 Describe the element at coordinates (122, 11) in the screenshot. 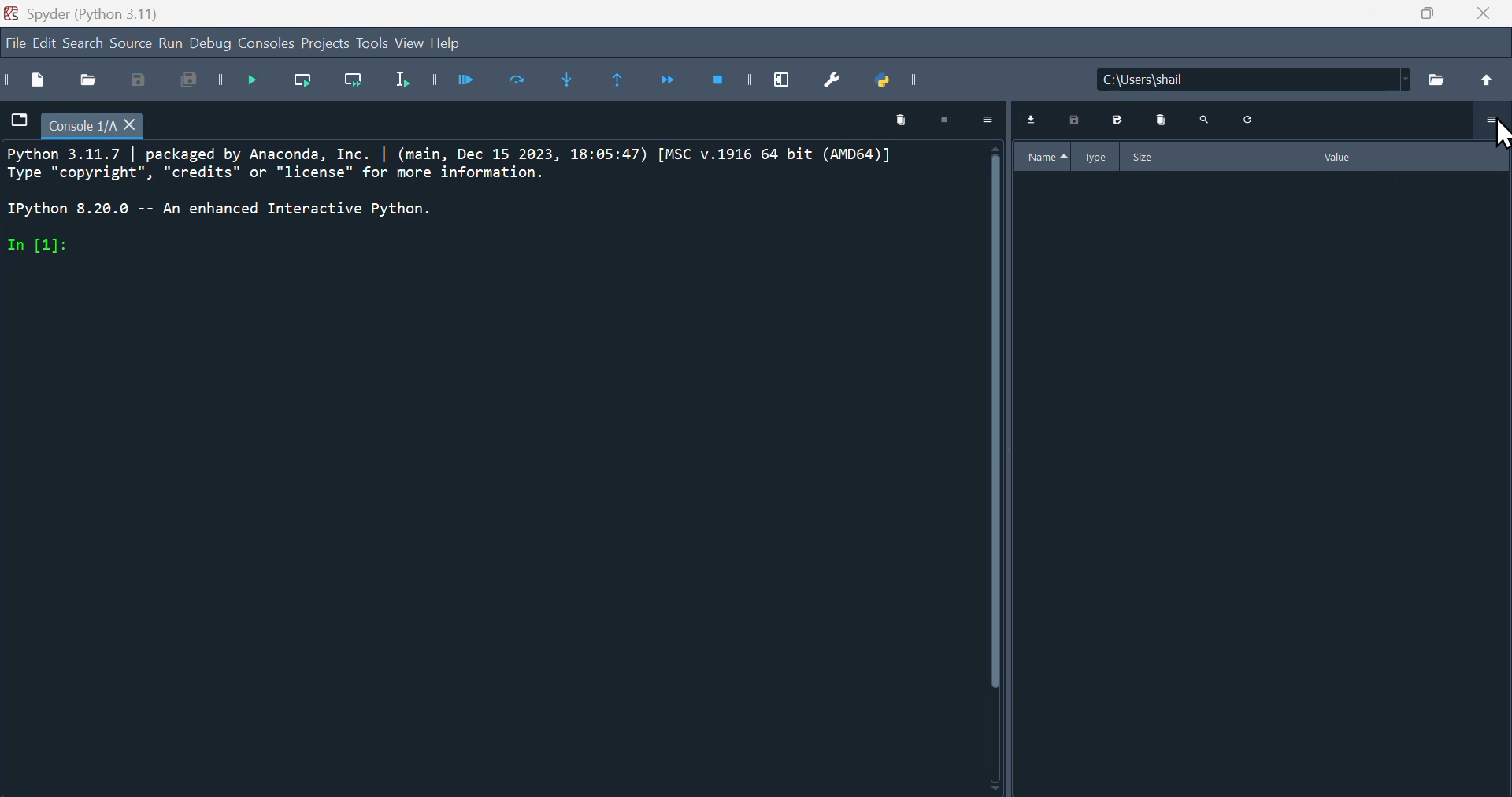

I see `Spyder` at that location.